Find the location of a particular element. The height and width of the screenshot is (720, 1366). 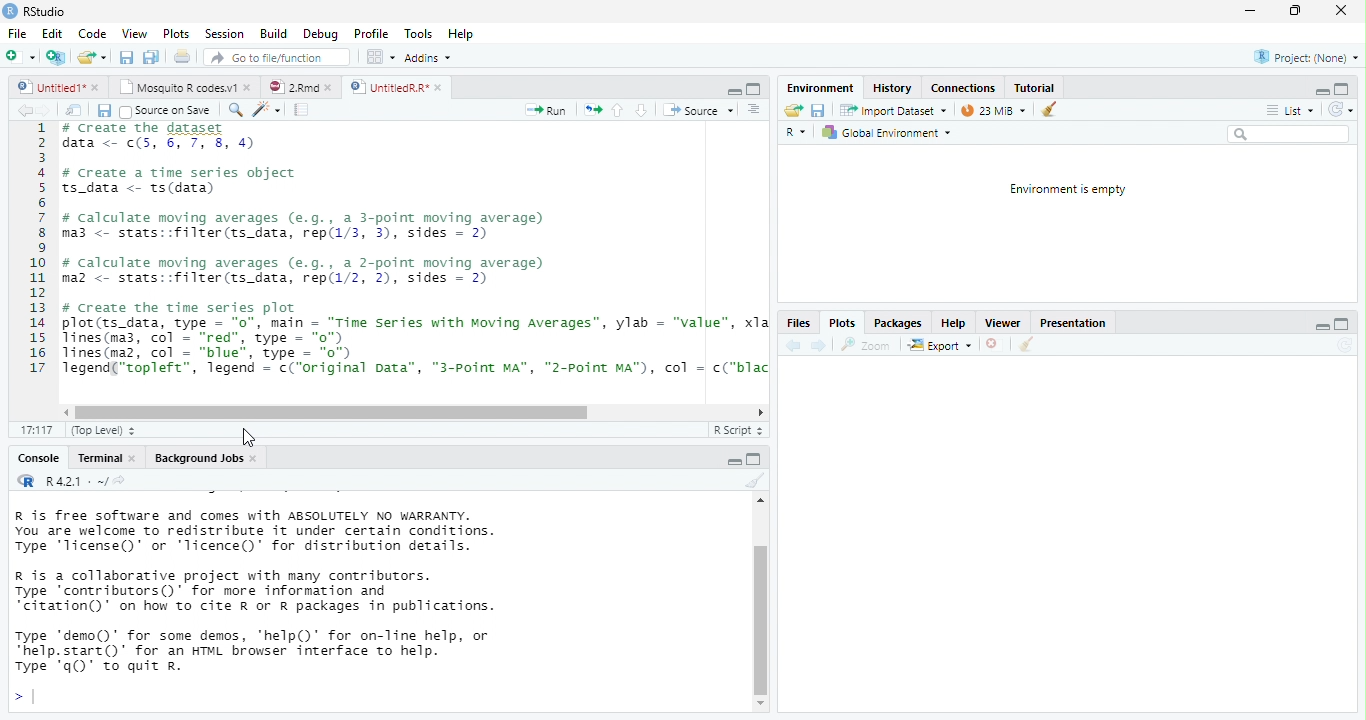

up is located at coordinates (618, 110).